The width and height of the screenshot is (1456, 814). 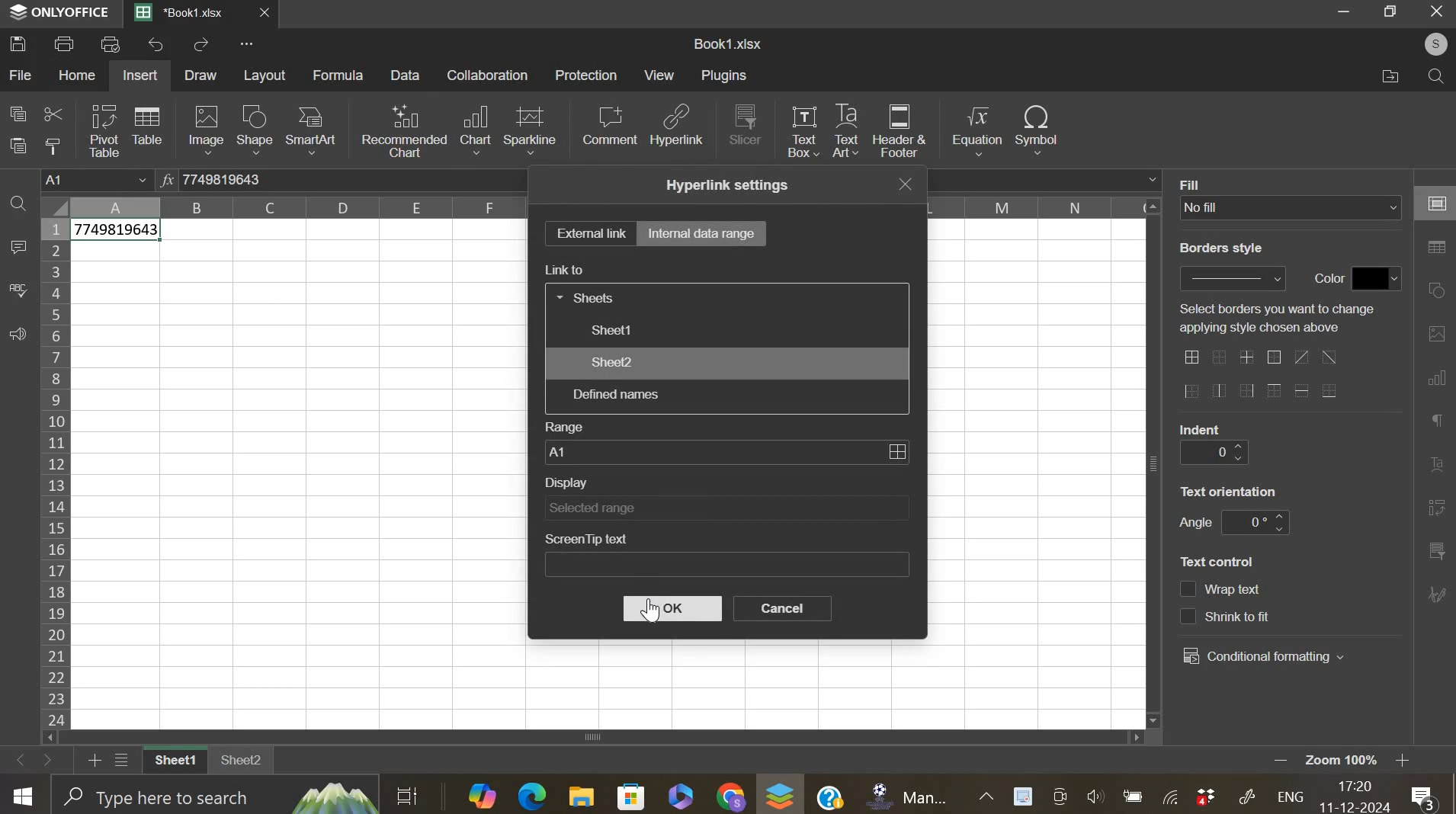 What do you see at coordinates (659, 614) in the screenshot?
I see `Cursor` at bounding box center [659, 614].